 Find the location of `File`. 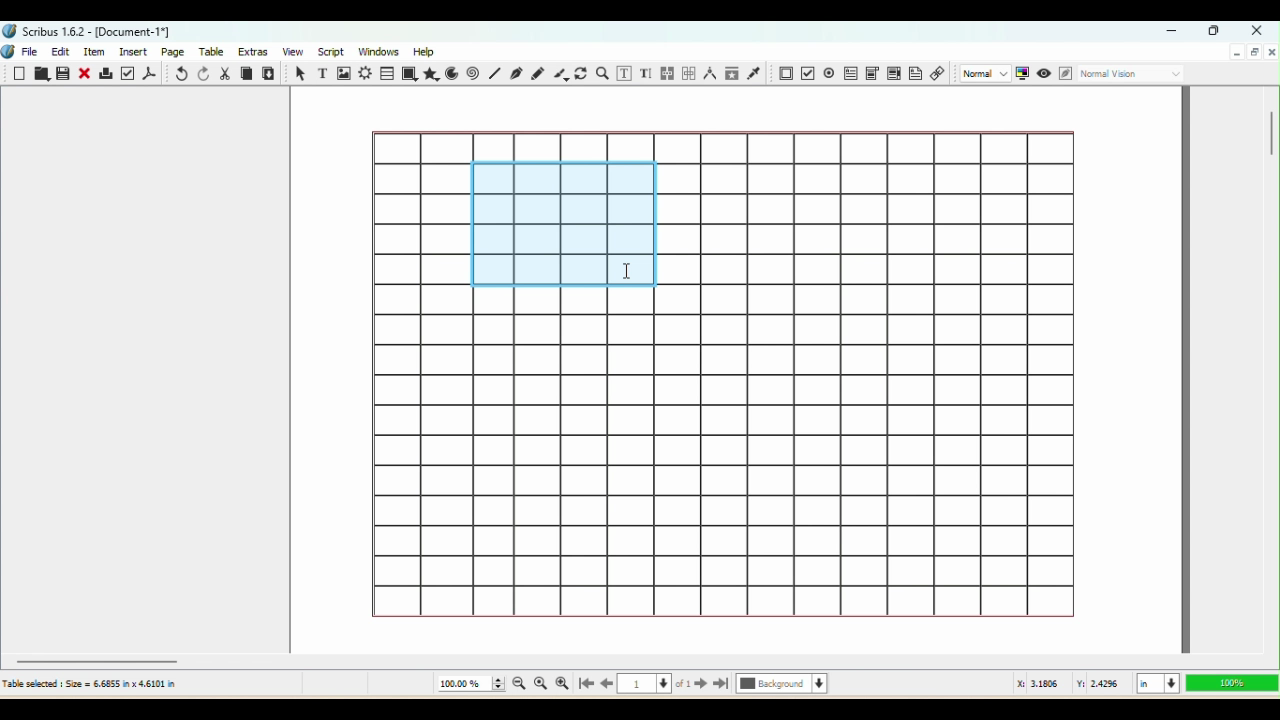

File is located at coordinates (33, 50).